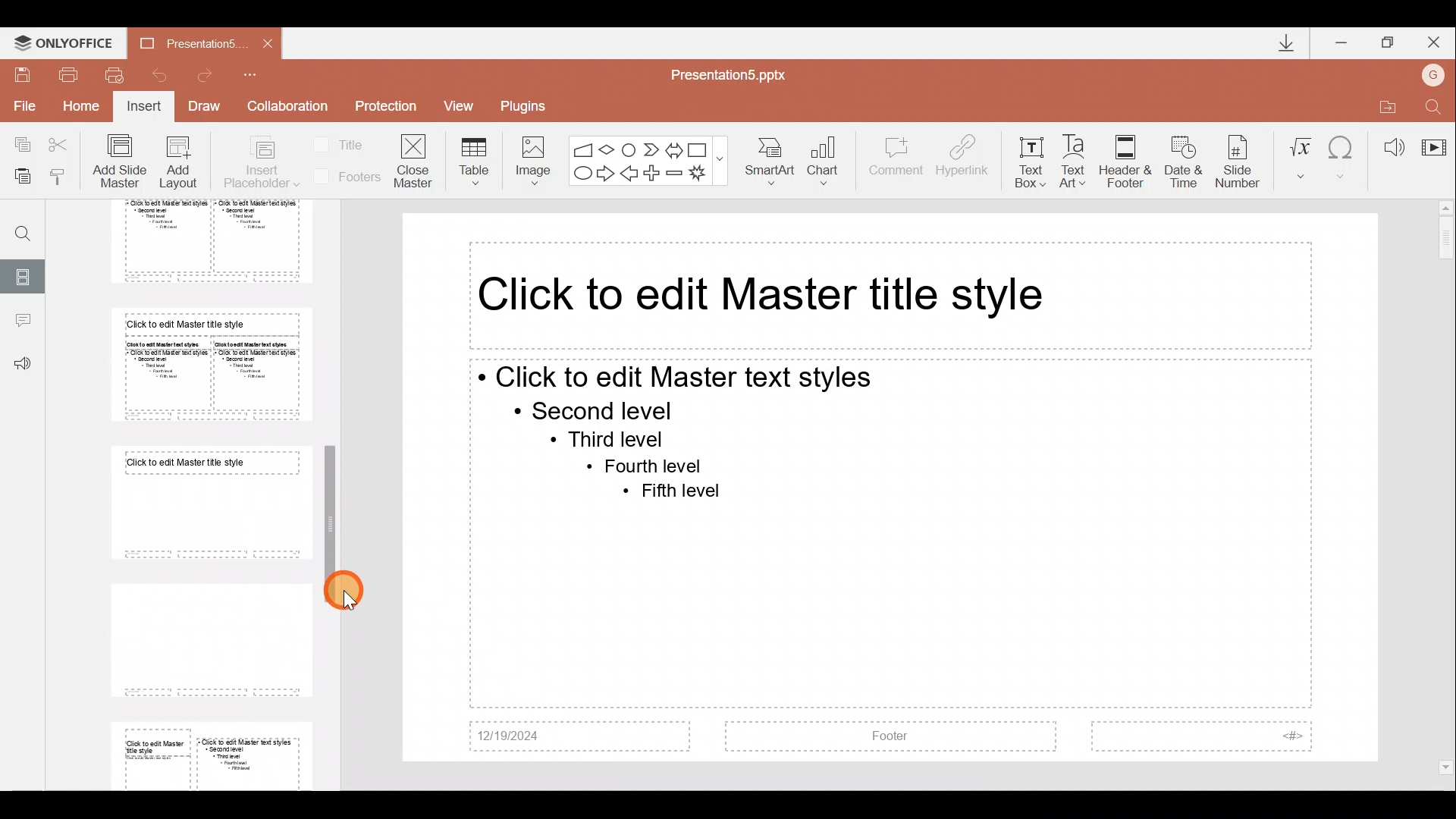  Describe the element at coordinates (1343, 155) in the screenshot. I see `Symbol` at that location.